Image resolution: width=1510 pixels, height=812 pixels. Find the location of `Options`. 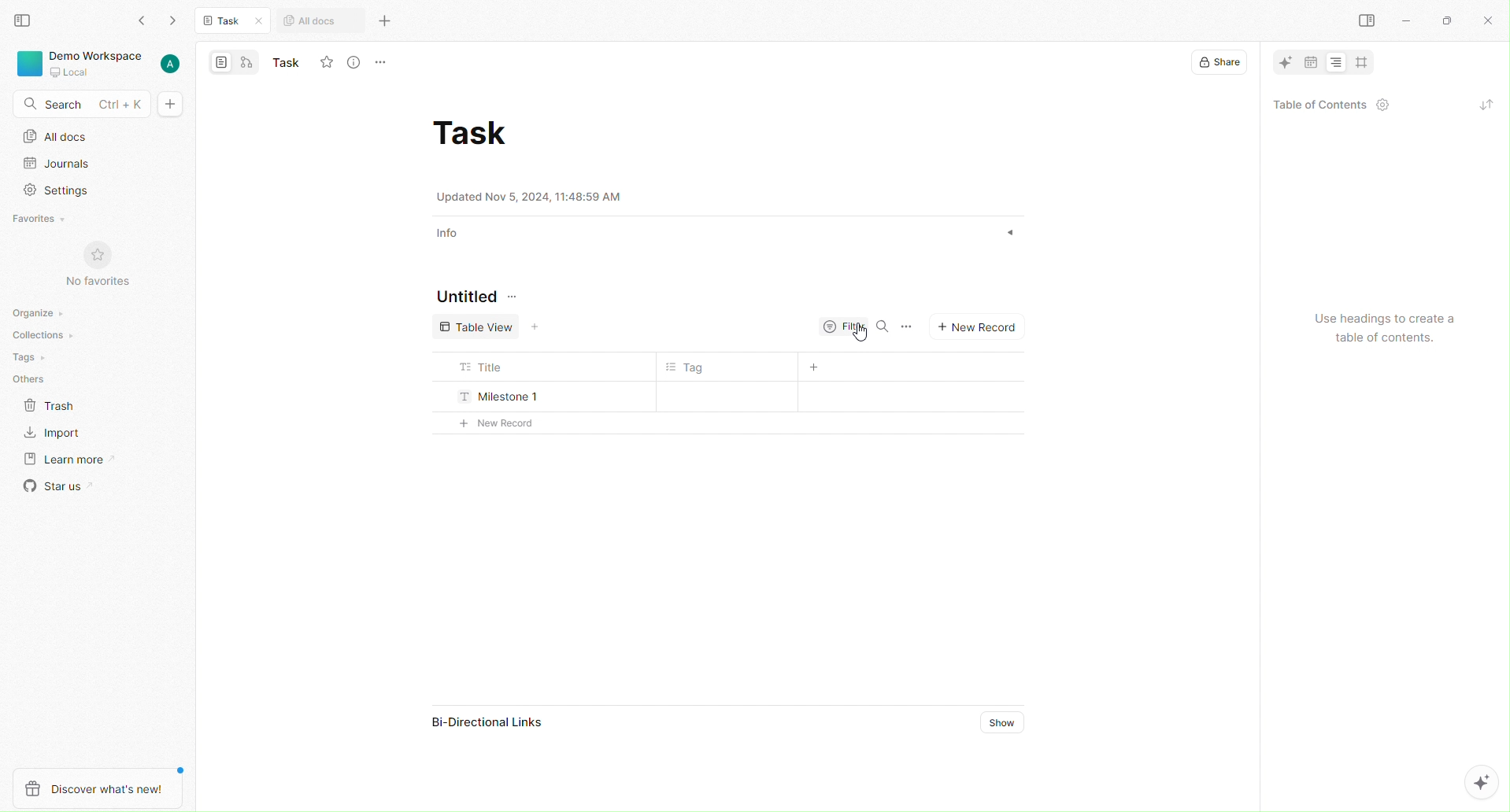

Options is located at coordinates (519, 295).